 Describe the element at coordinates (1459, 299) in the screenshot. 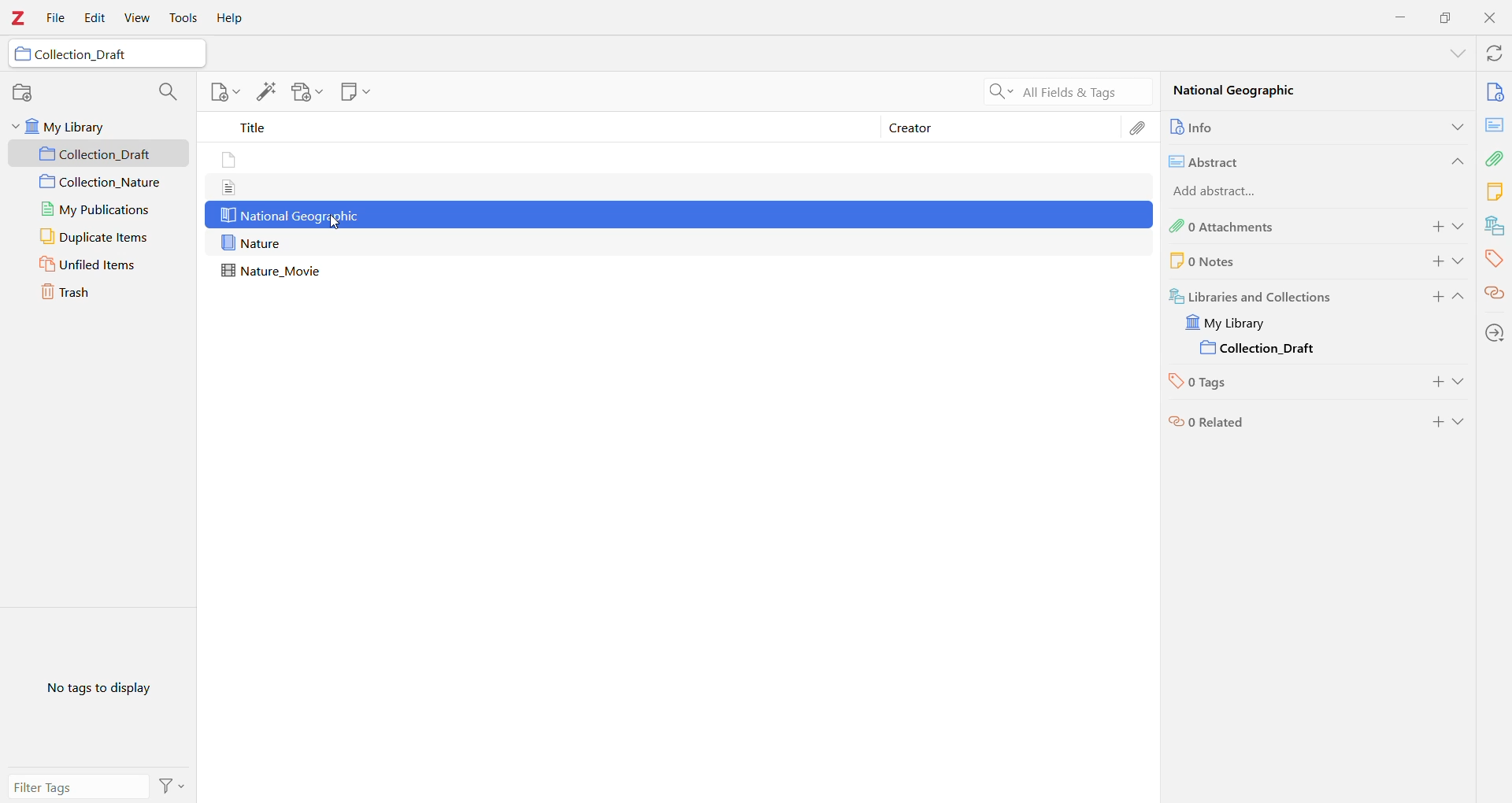

I see `Expand Section` at that location.